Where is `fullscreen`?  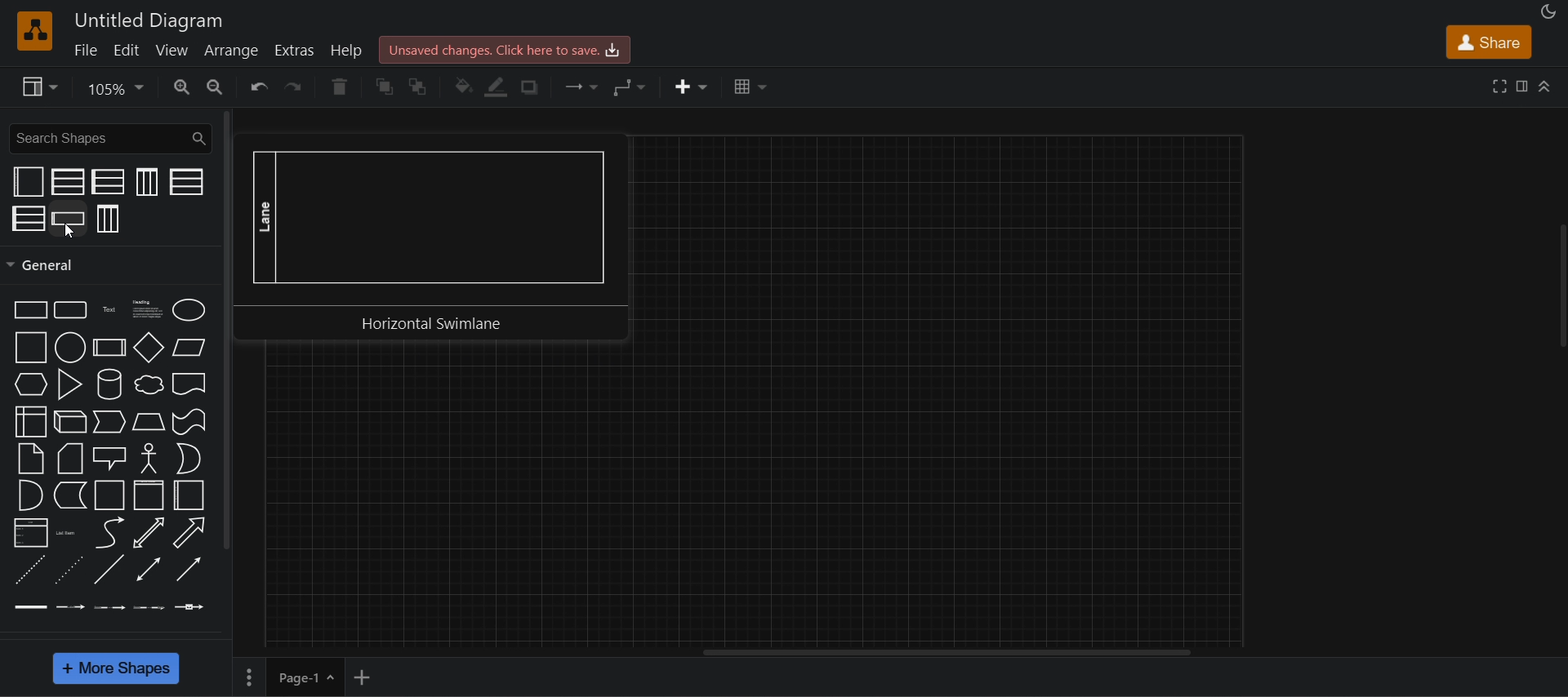 fullscreen is located at coordinates (1501, 85).